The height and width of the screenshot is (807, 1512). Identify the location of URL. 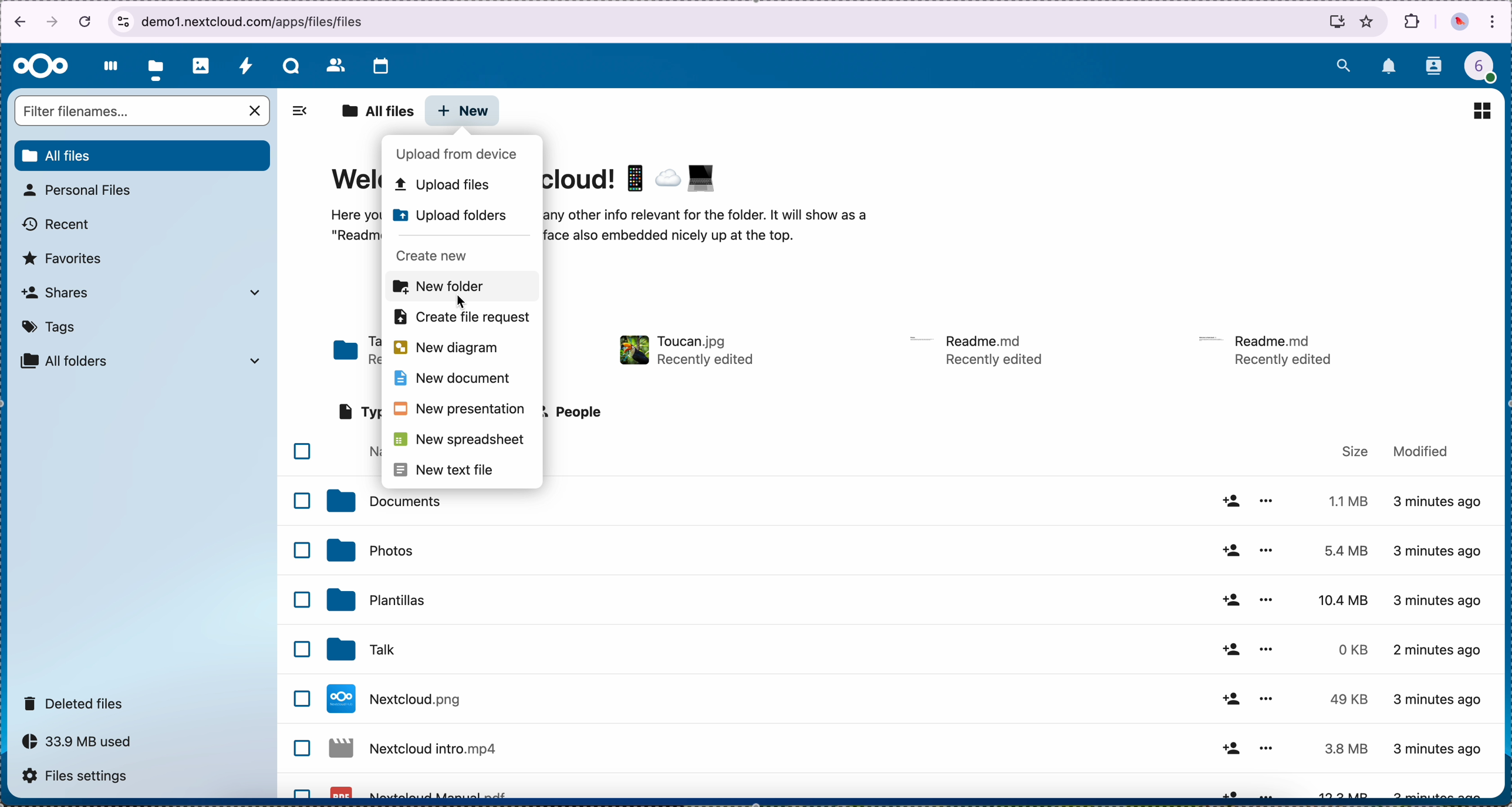
(248, 21).